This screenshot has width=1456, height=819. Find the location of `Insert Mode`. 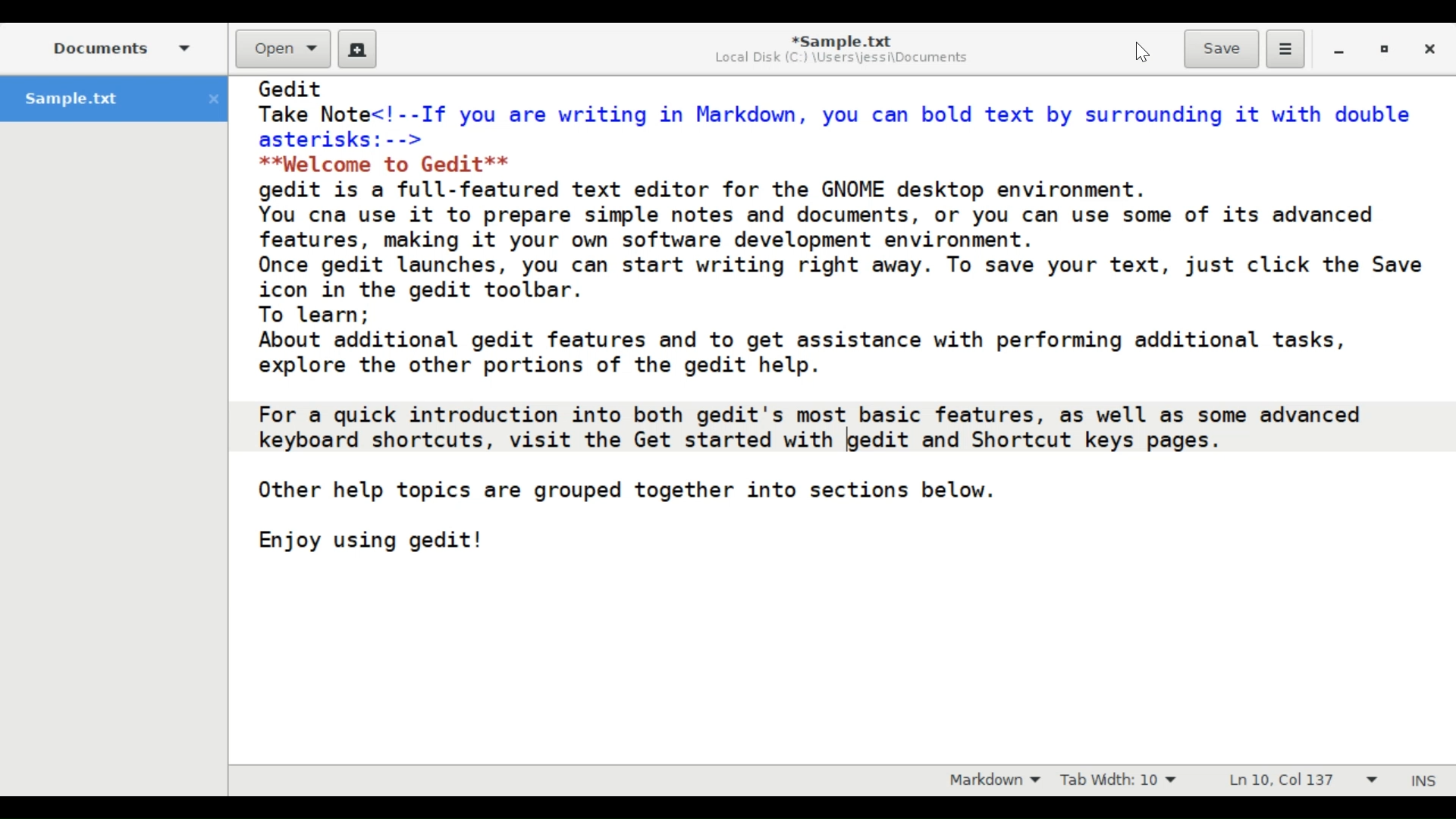

Insert Mode is located at coordinates (1420, 779).